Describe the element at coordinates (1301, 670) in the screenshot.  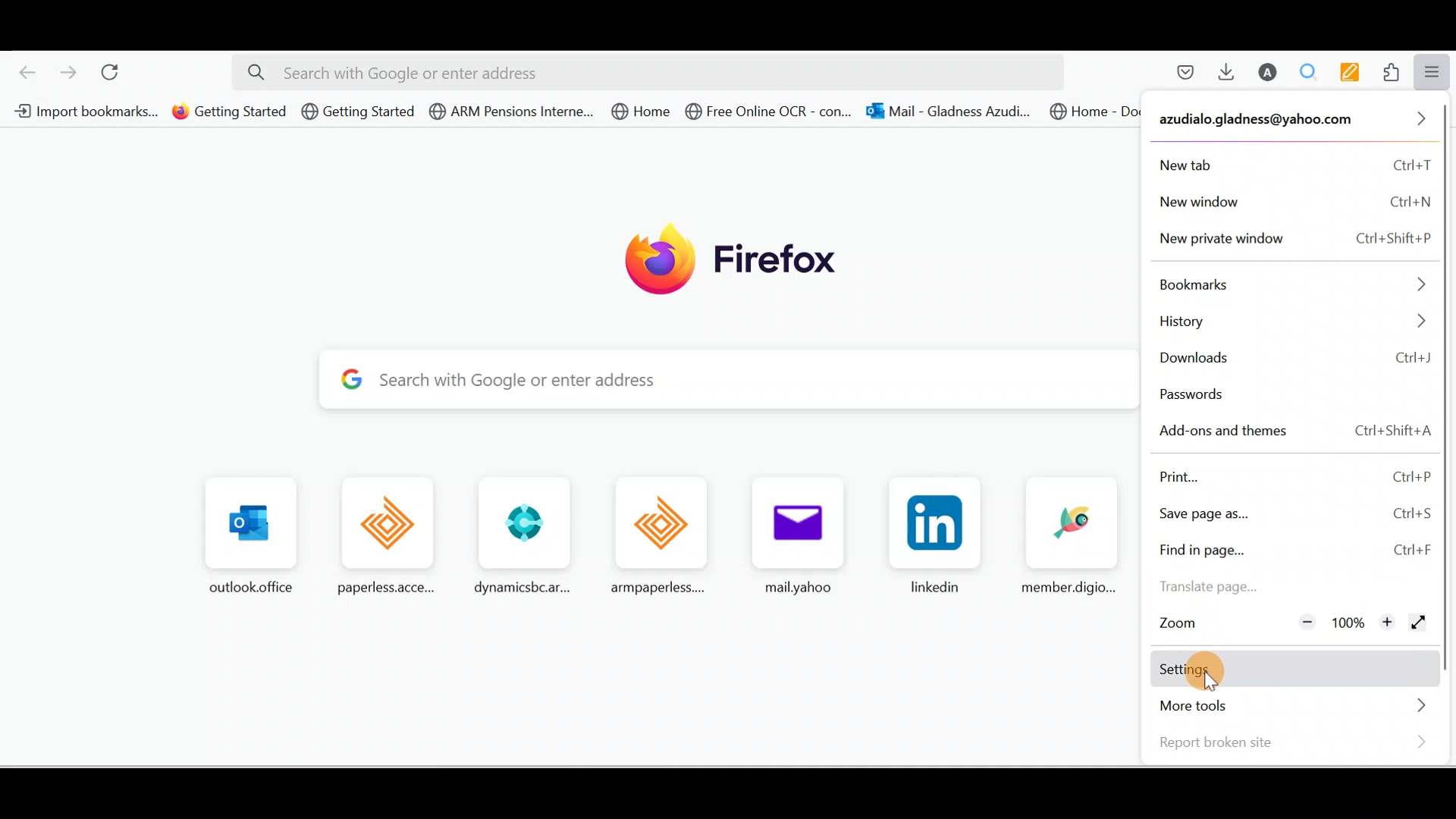
I see `Settings` at that location.